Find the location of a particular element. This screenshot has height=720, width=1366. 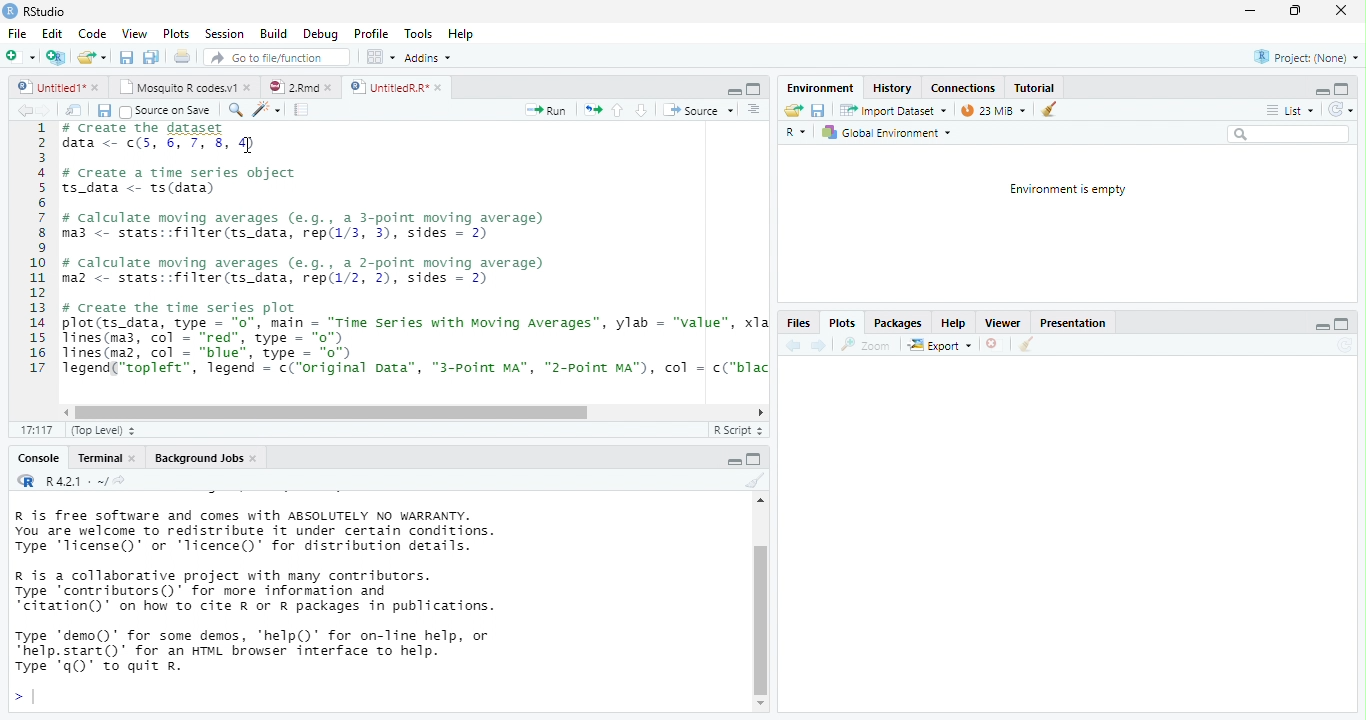

maximize is located at coordinates (1342, 88).